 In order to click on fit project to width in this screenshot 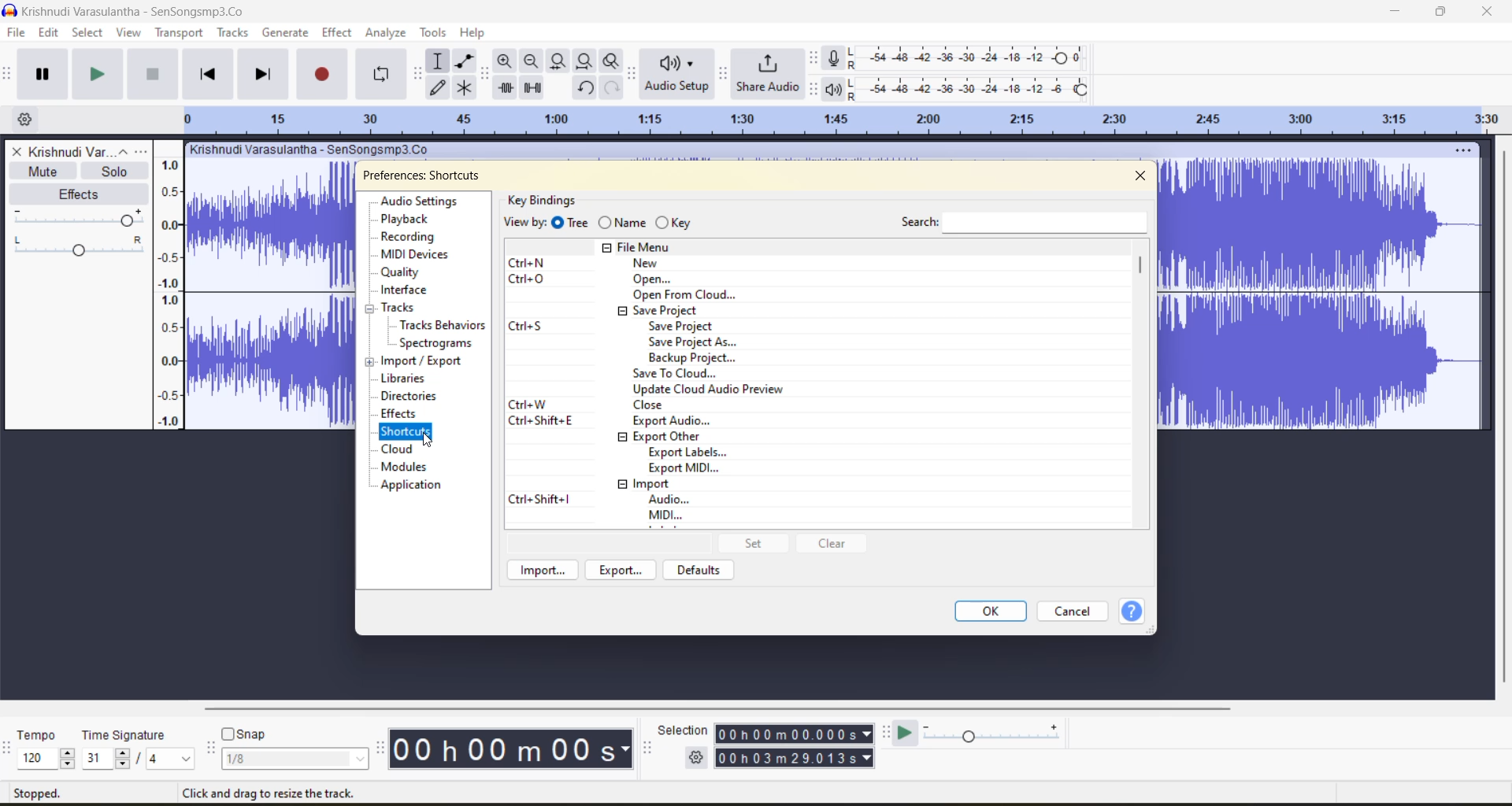, I will do `click(585, 61)`.